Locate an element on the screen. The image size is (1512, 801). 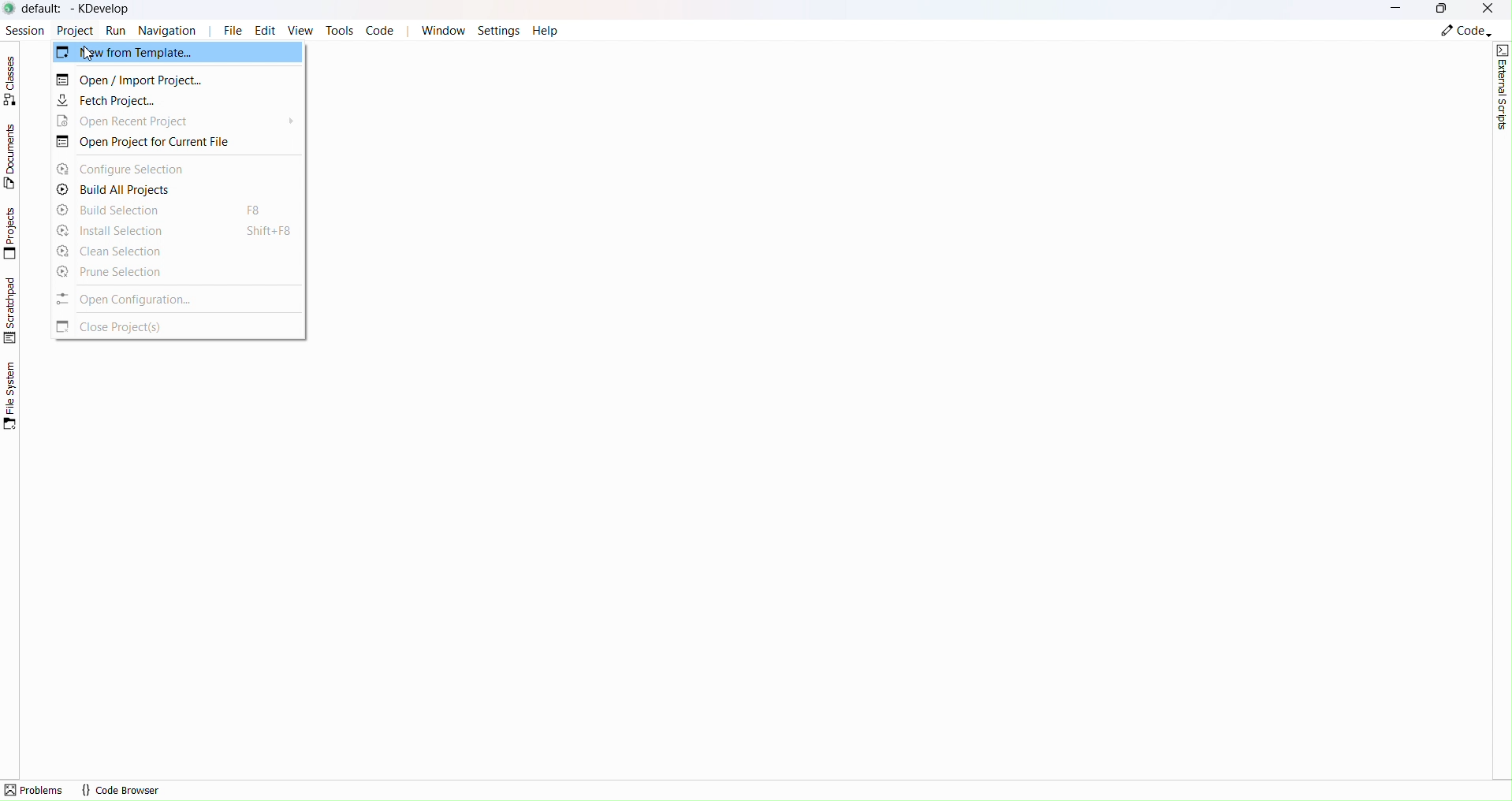
Box is located at coordinates (1443, 10).